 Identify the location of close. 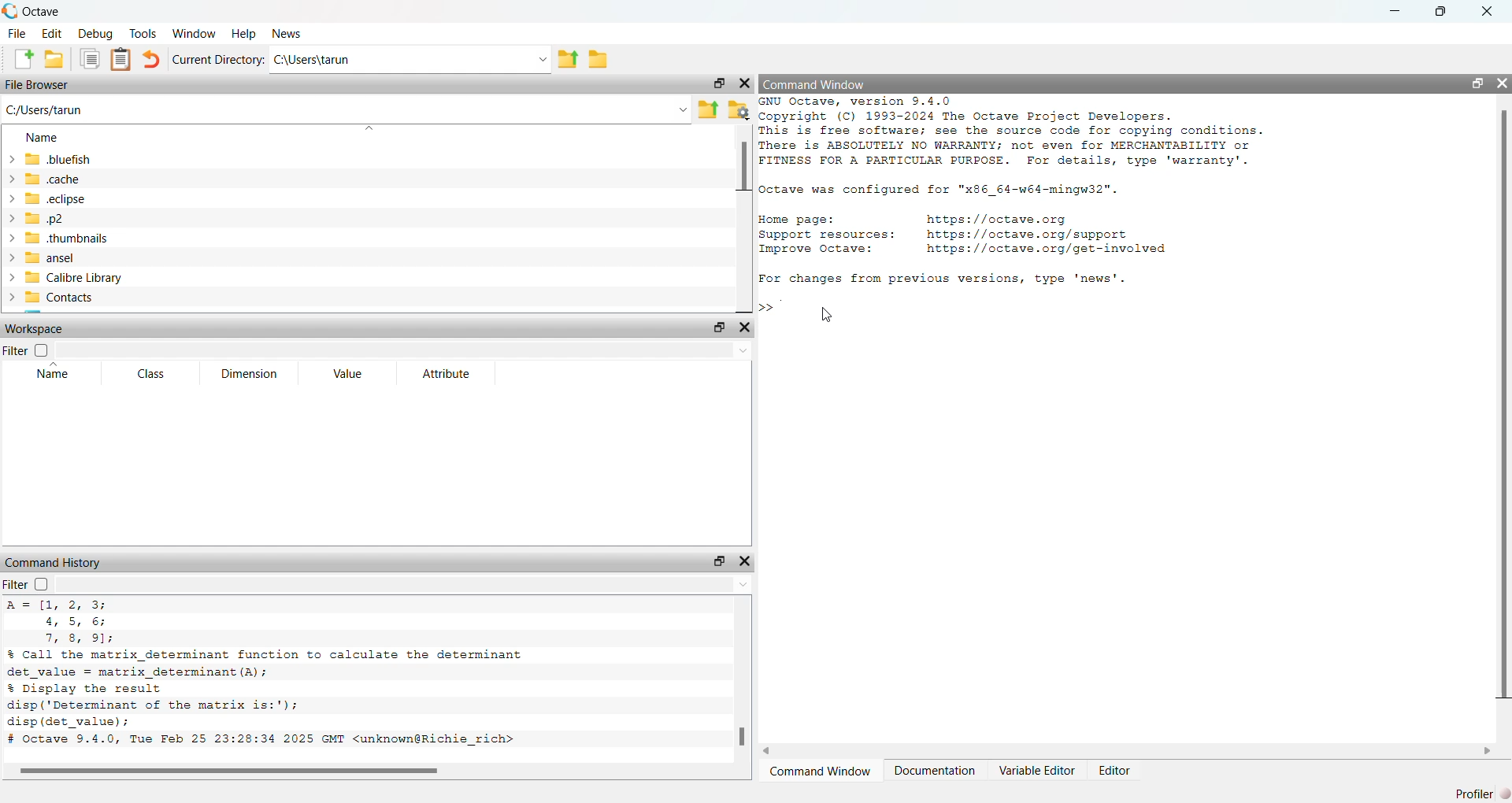
(1487, 13).